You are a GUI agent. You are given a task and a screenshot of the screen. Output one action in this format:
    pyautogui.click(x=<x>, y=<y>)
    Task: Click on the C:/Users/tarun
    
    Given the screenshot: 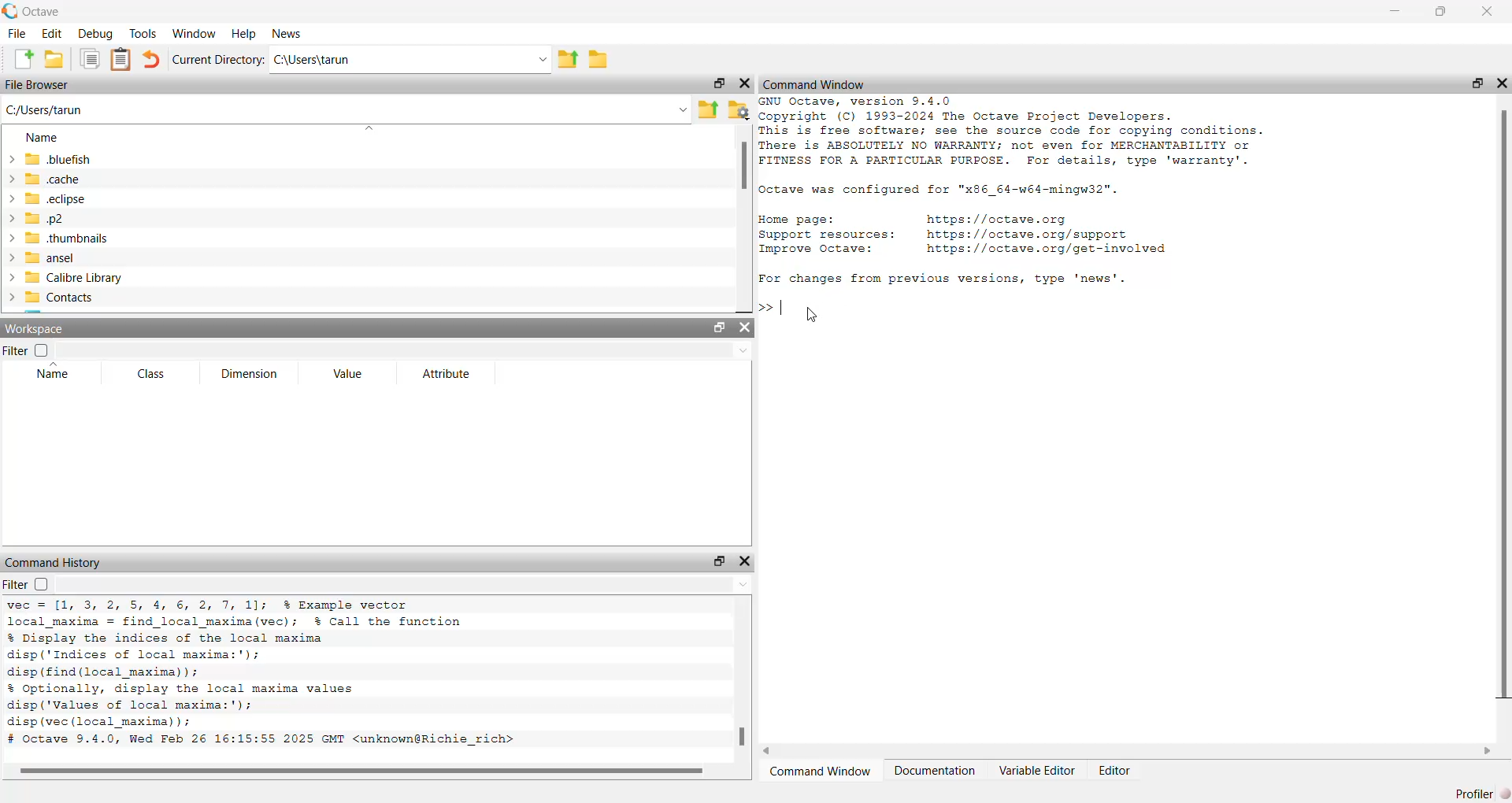 What is the action you would take?
    pyautogui.click(x=58, y=110)
    